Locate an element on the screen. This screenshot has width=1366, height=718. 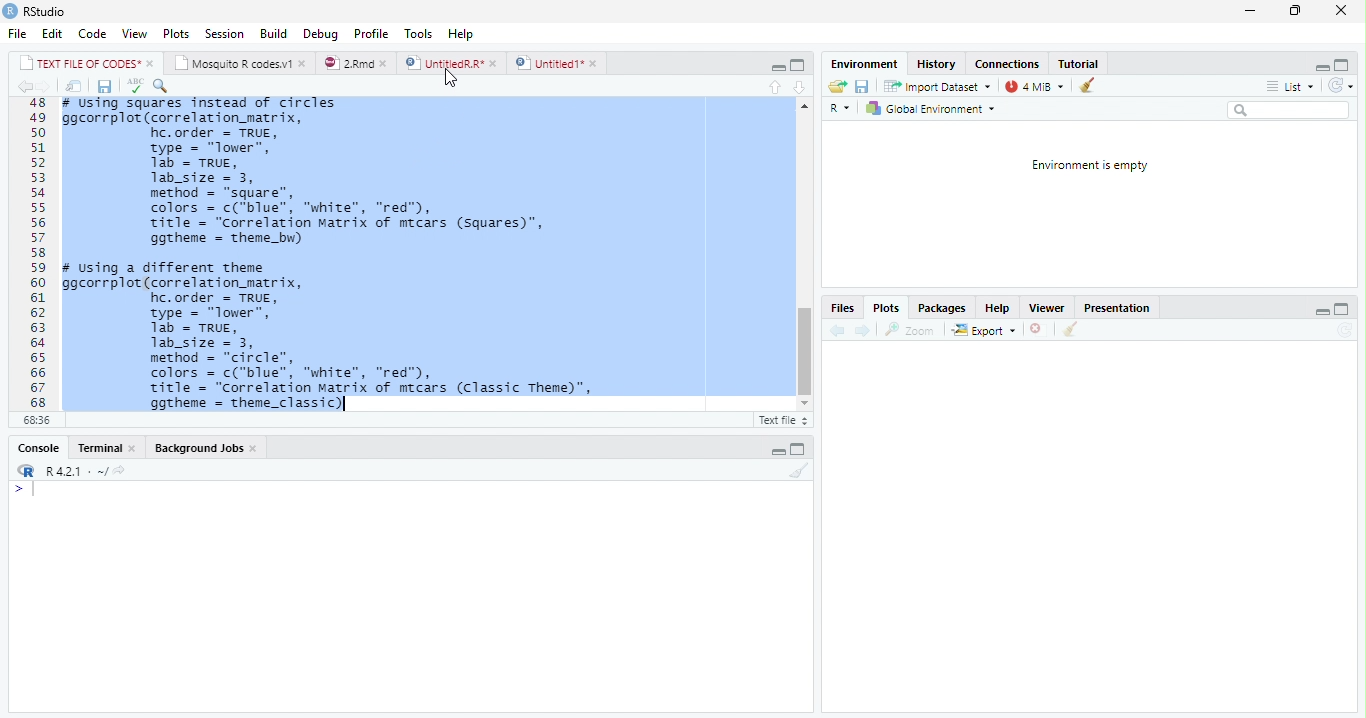
save current document is located at coordinates (105, 86).